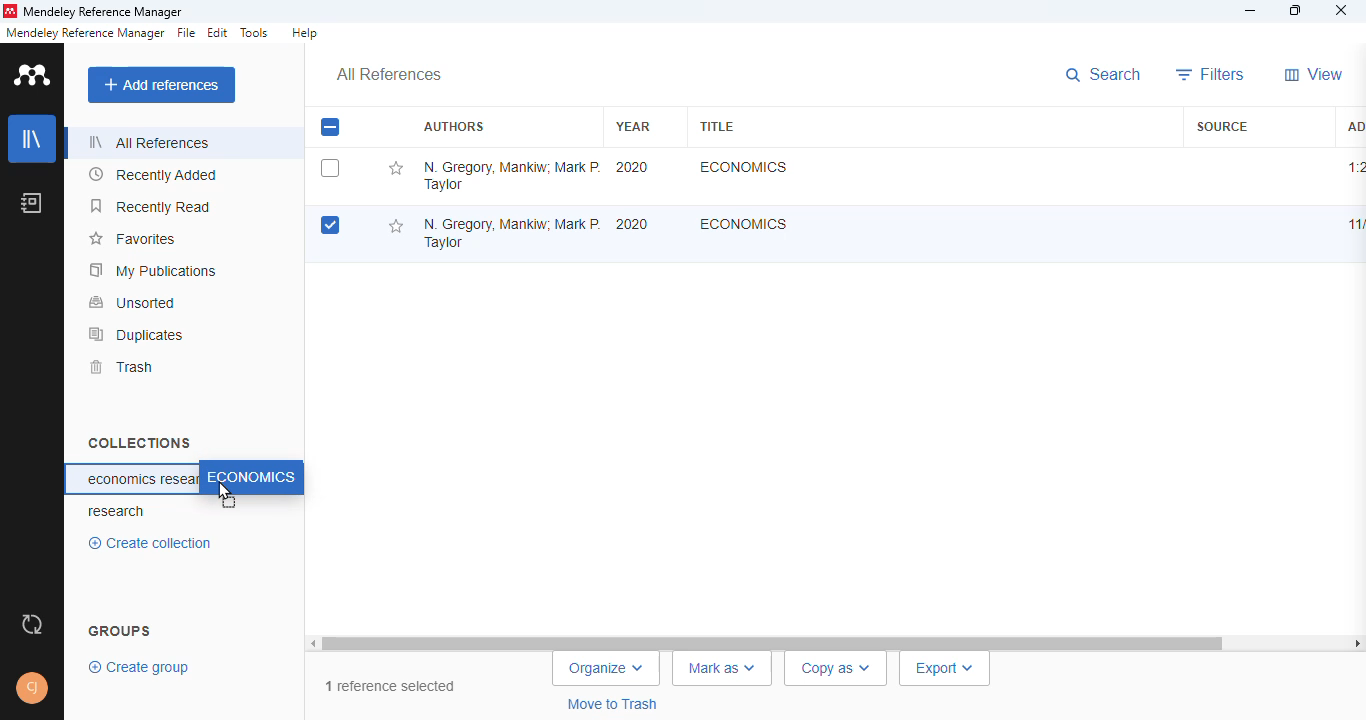  What do you see at coordinates (32, 202) in the screenshot?
I see `notebook` at bounding box center [32, 202].